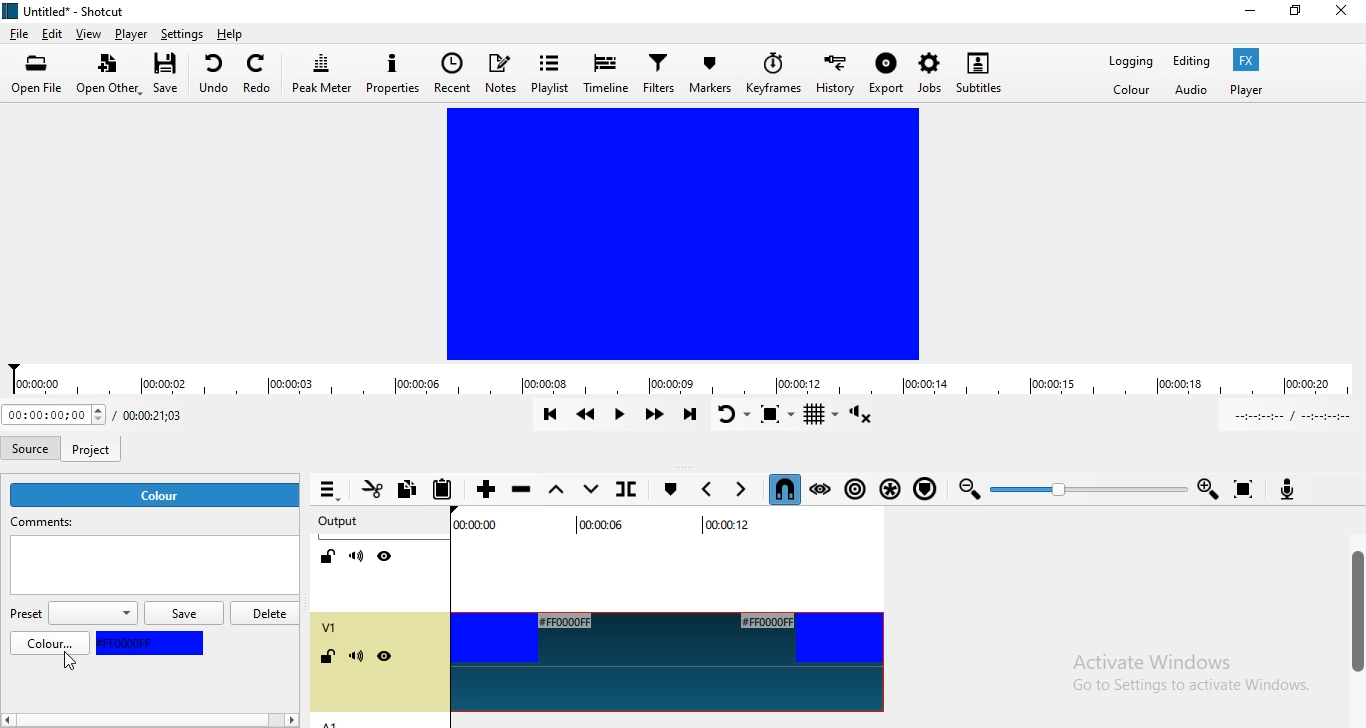 This screenshot has width=1366, height=728. I want to click on color, so click(51, 645).